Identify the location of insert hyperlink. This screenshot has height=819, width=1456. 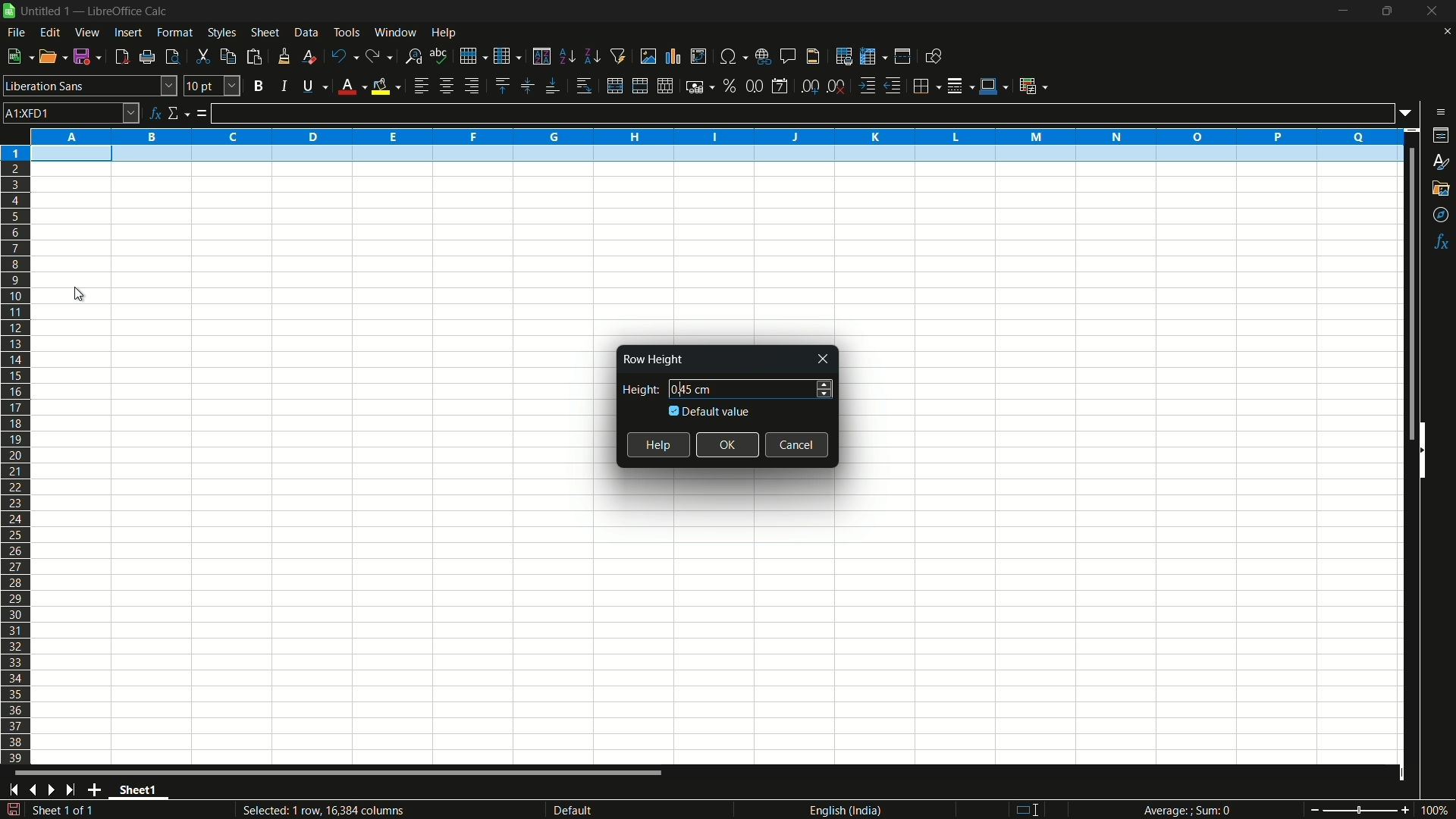
(765, 55).